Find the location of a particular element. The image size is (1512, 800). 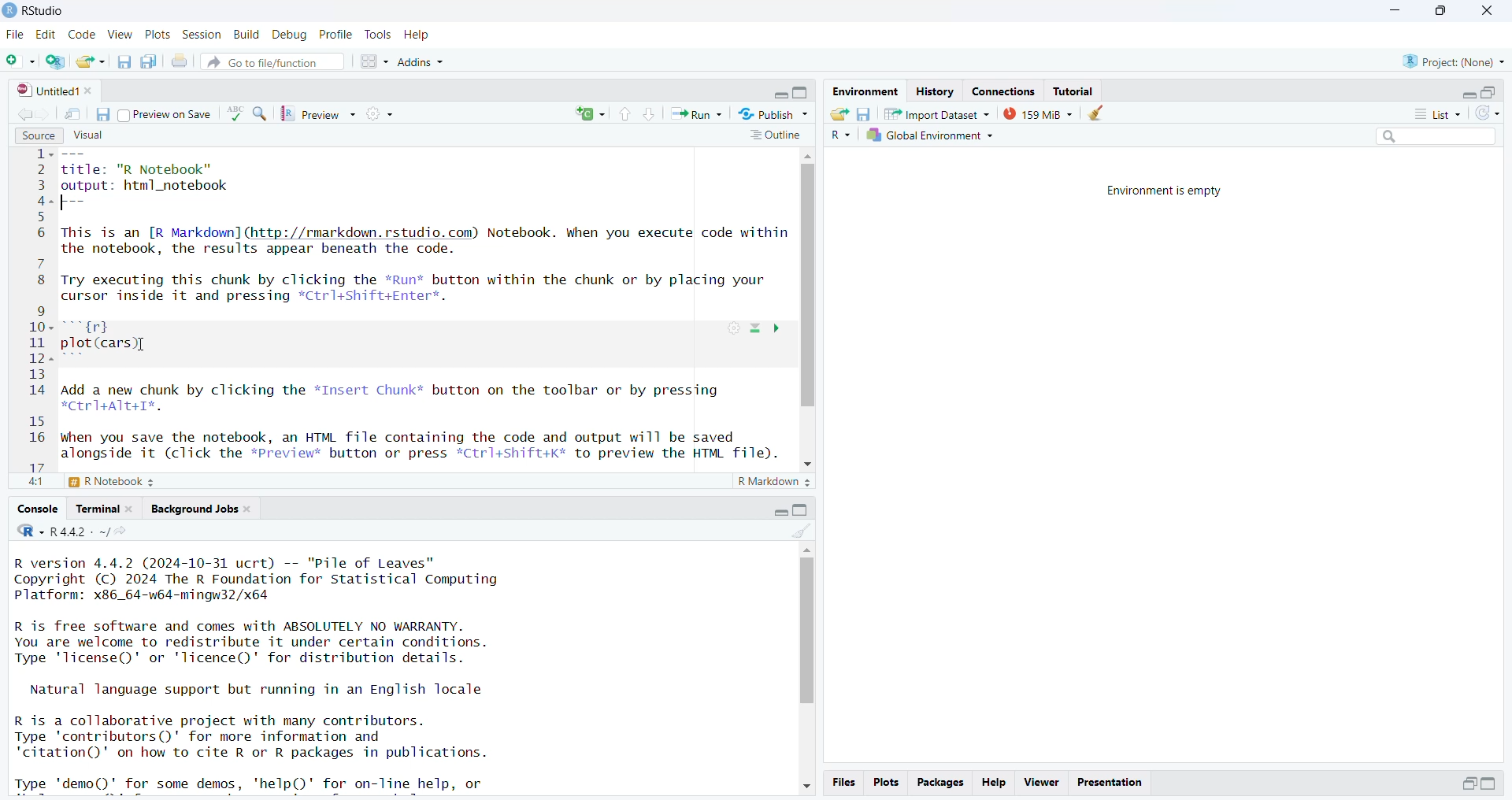

visual is located at coordinates (87, 134).